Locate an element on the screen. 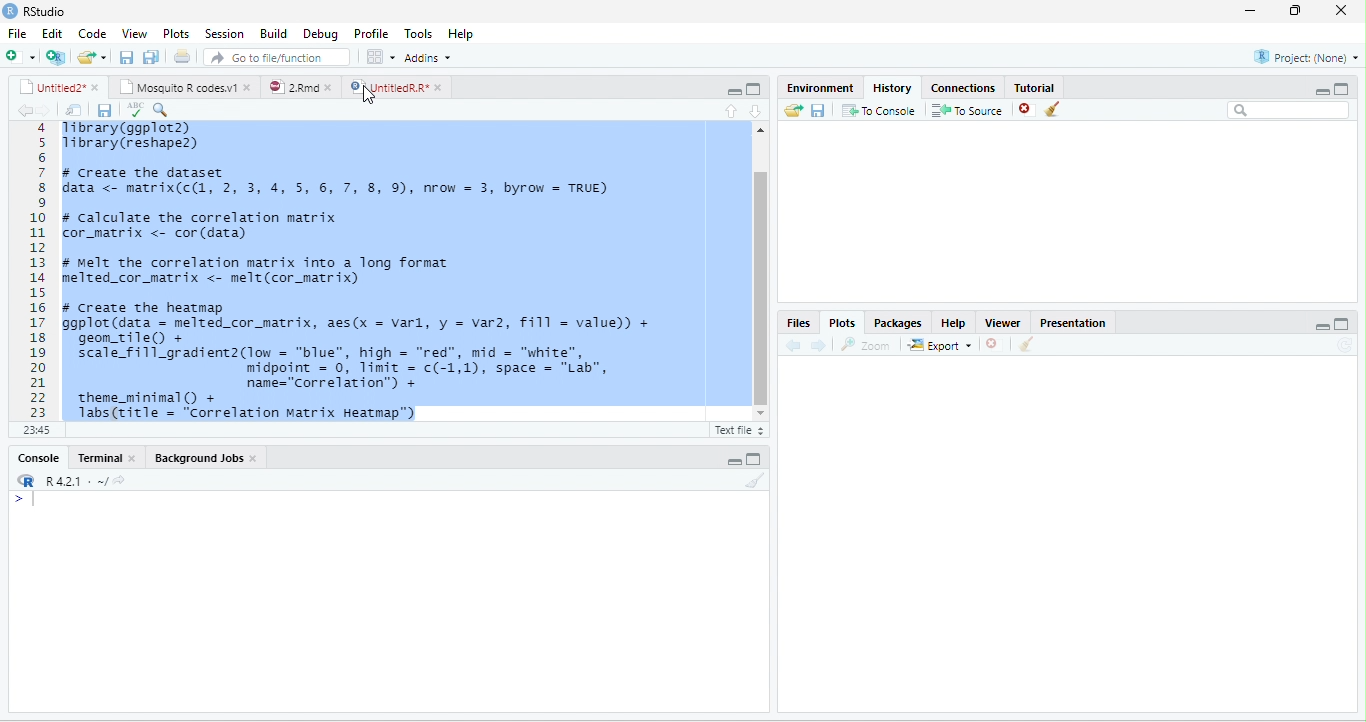  Files Plots Packages Help Viewer Presentation =0
A zoom | Mew - [0 | is located at coordinates (358, 270).